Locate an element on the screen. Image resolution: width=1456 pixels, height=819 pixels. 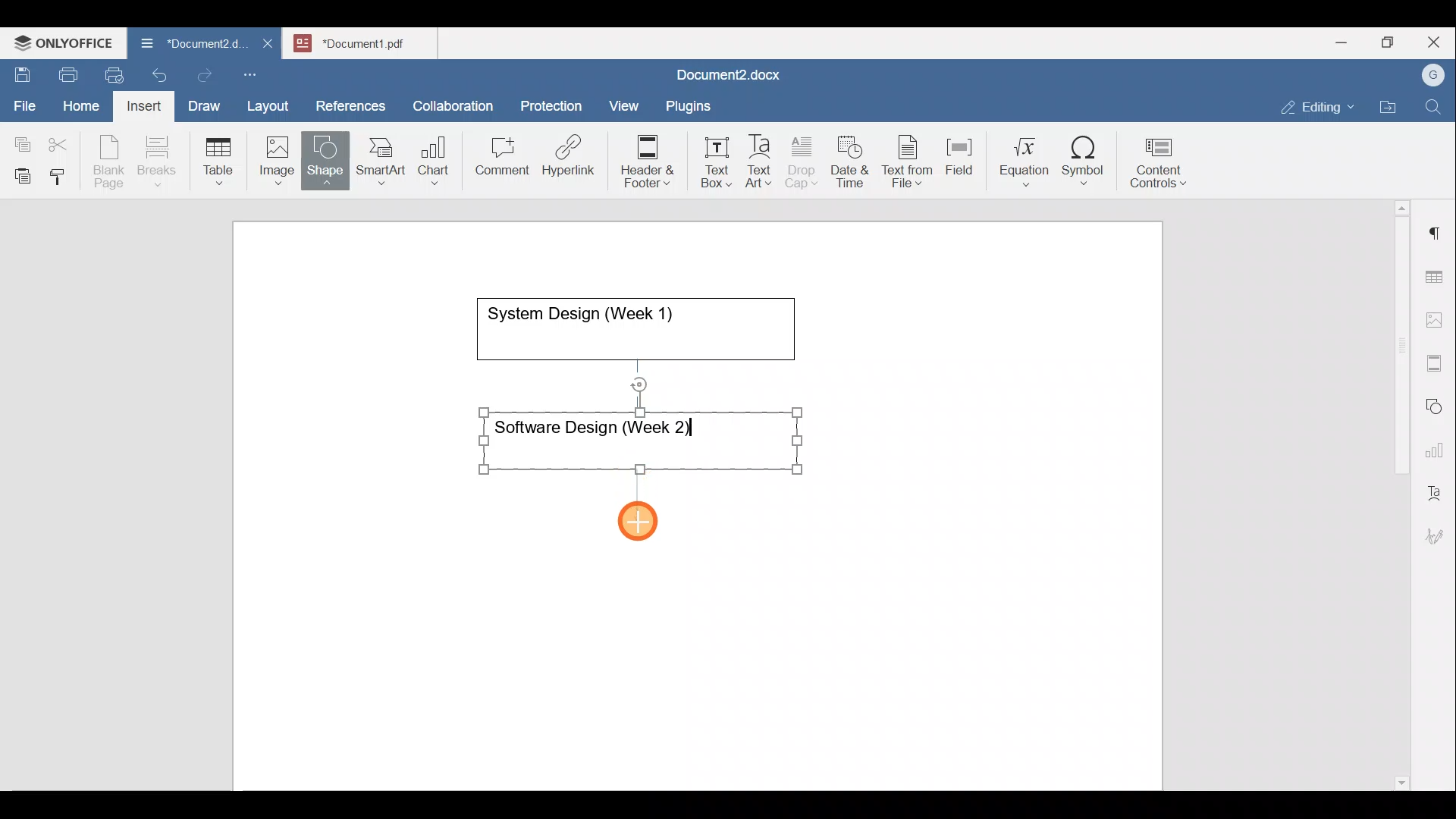
SmartArt is located at coordinates (378, 158).